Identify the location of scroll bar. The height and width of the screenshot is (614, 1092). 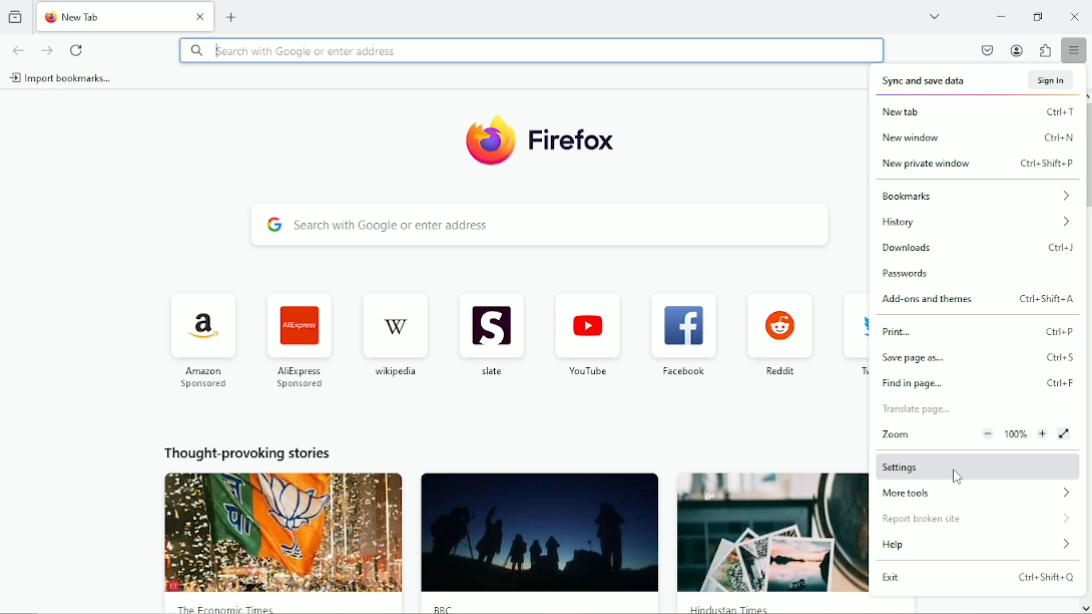
(1085, 156).